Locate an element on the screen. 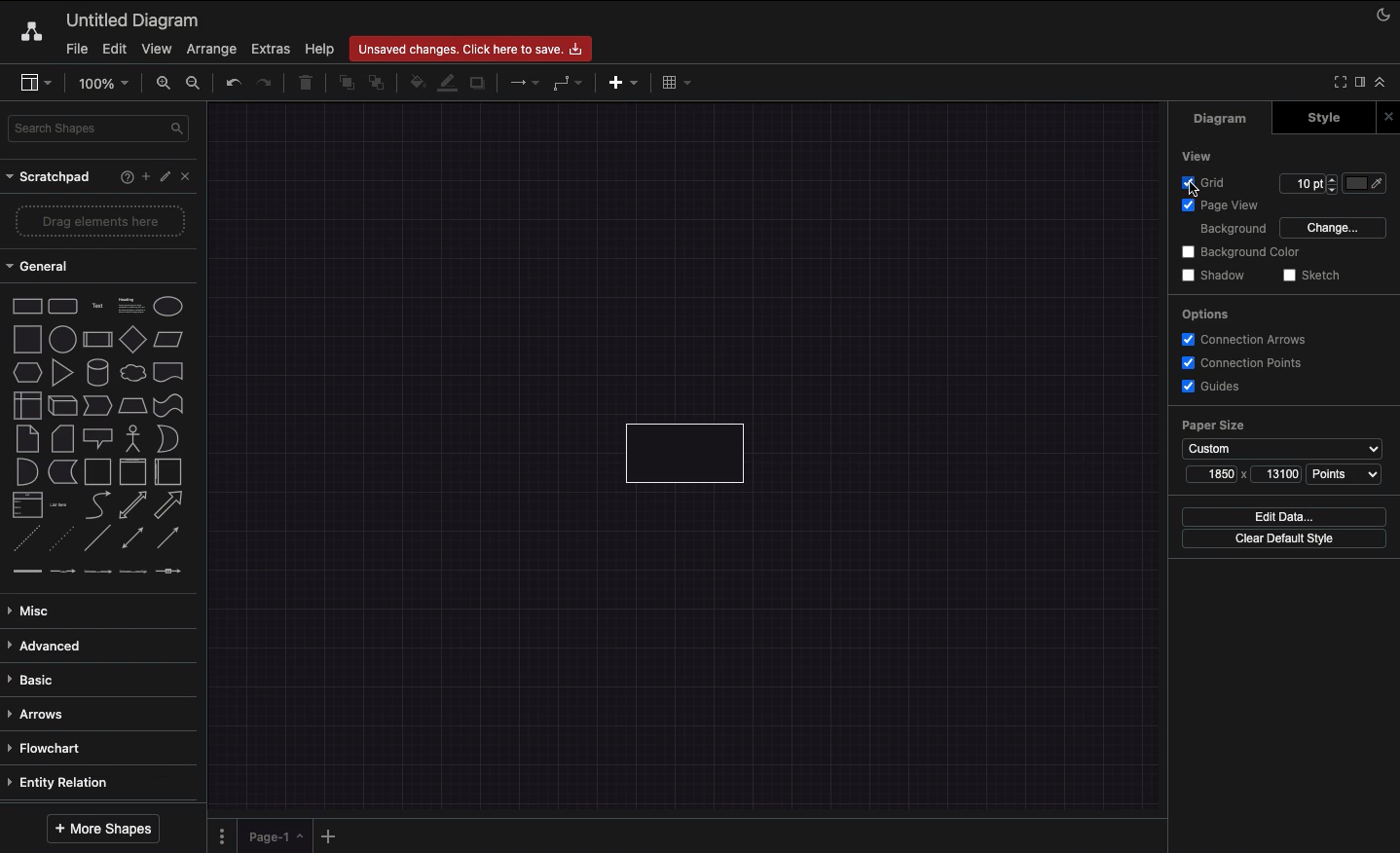 Image resolution: width=1400 pixels, height=853 pixels. Help is located at coordinates (317, 49).